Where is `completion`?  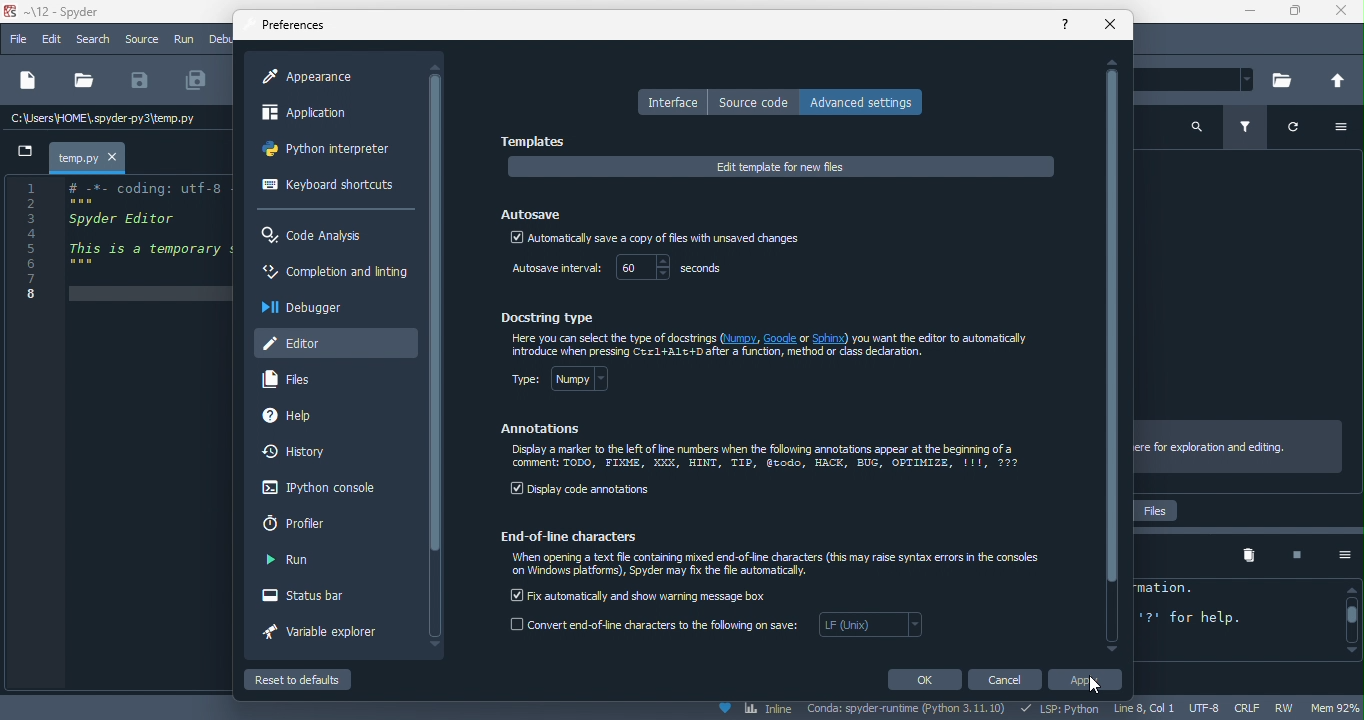
completion is located at coordinates (334, 275).